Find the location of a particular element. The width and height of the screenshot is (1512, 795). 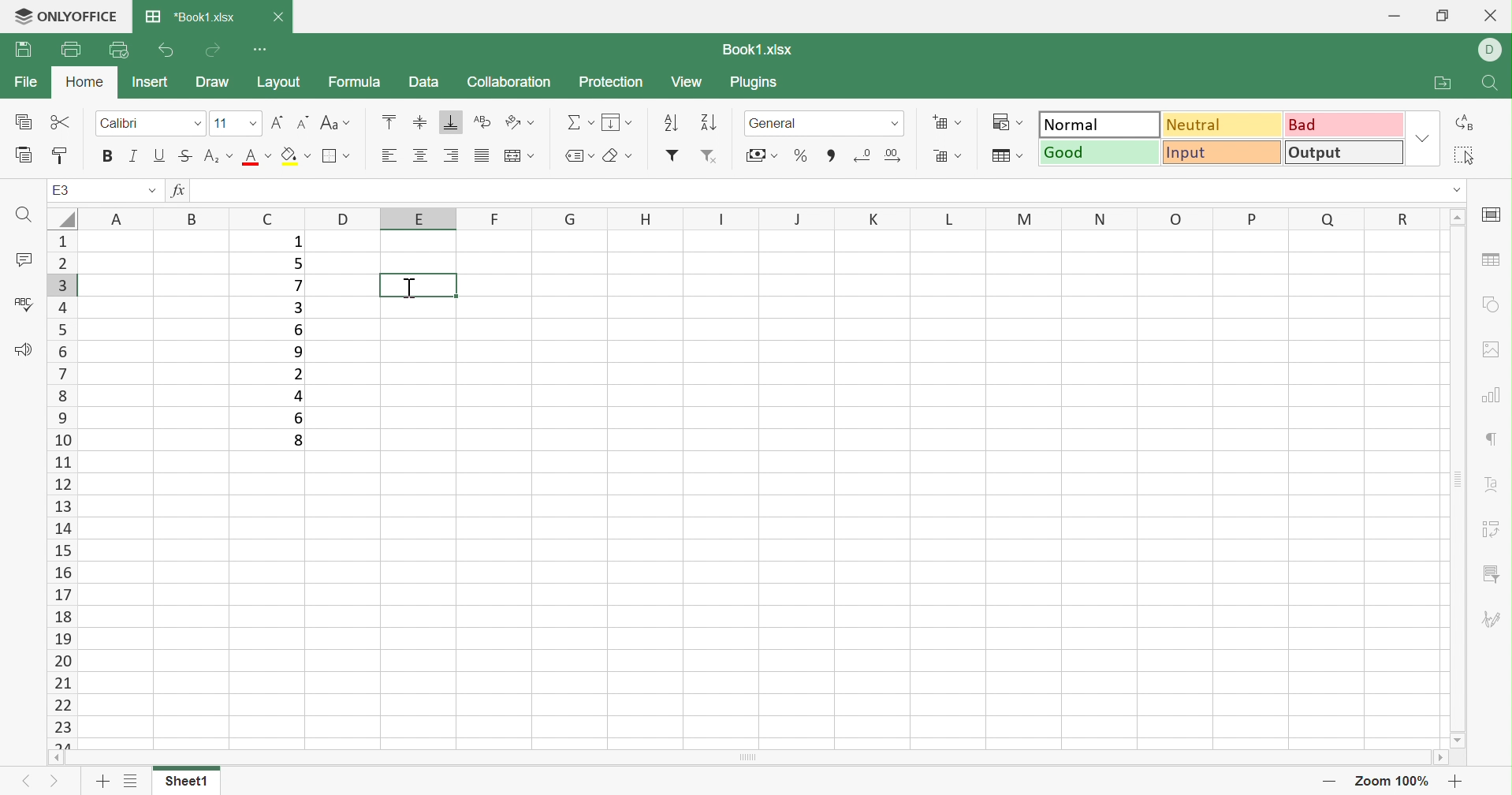

Slicer settings is located at coordinates (1489, 575).